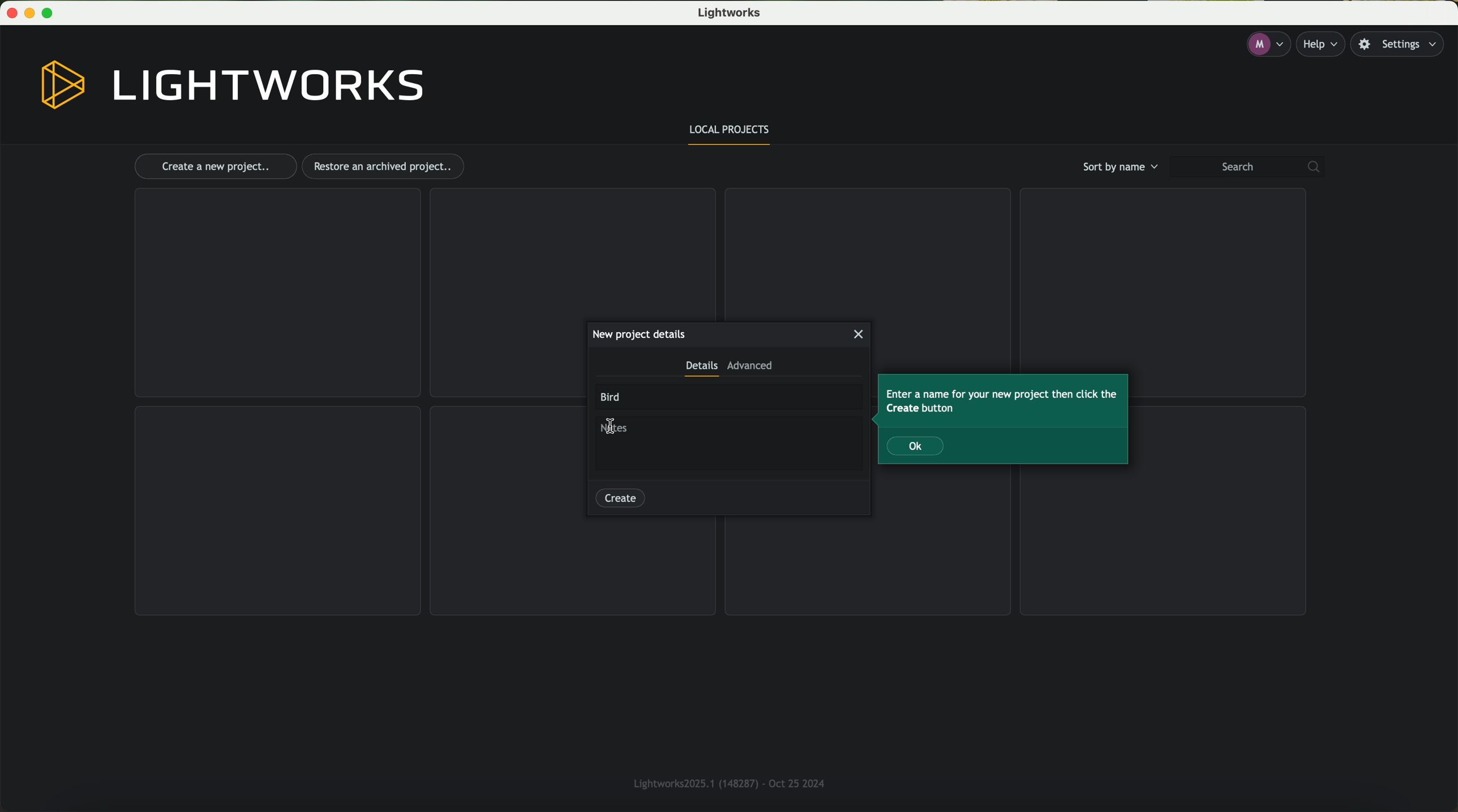 Image resolution: width=1458 pixels, height=812 pixels. I want to click on registered trademark, so click(725, 781).